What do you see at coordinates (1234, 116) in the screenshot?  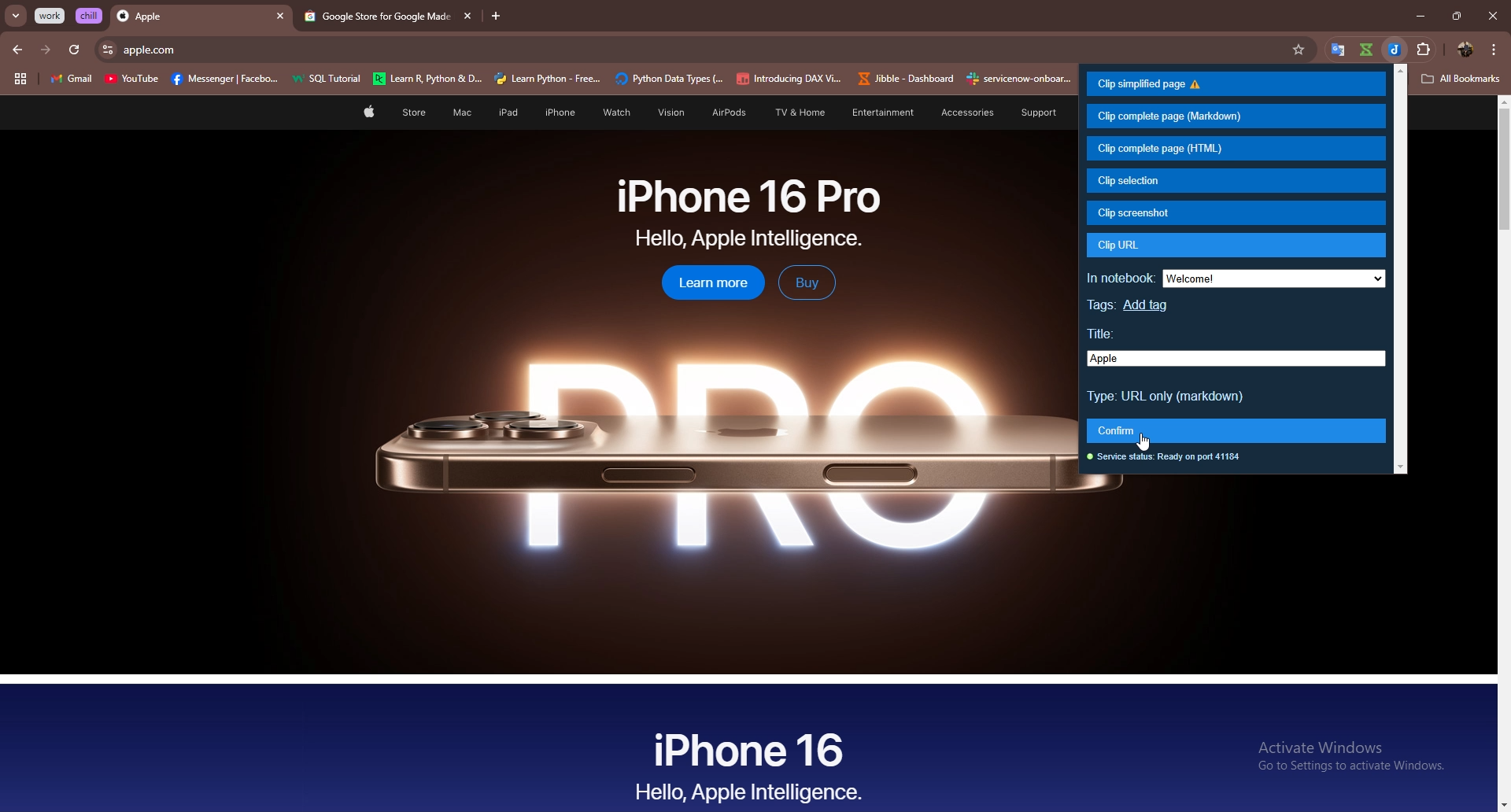 I see `clip complete page(markdown)` at bounding box center [1234, 116].